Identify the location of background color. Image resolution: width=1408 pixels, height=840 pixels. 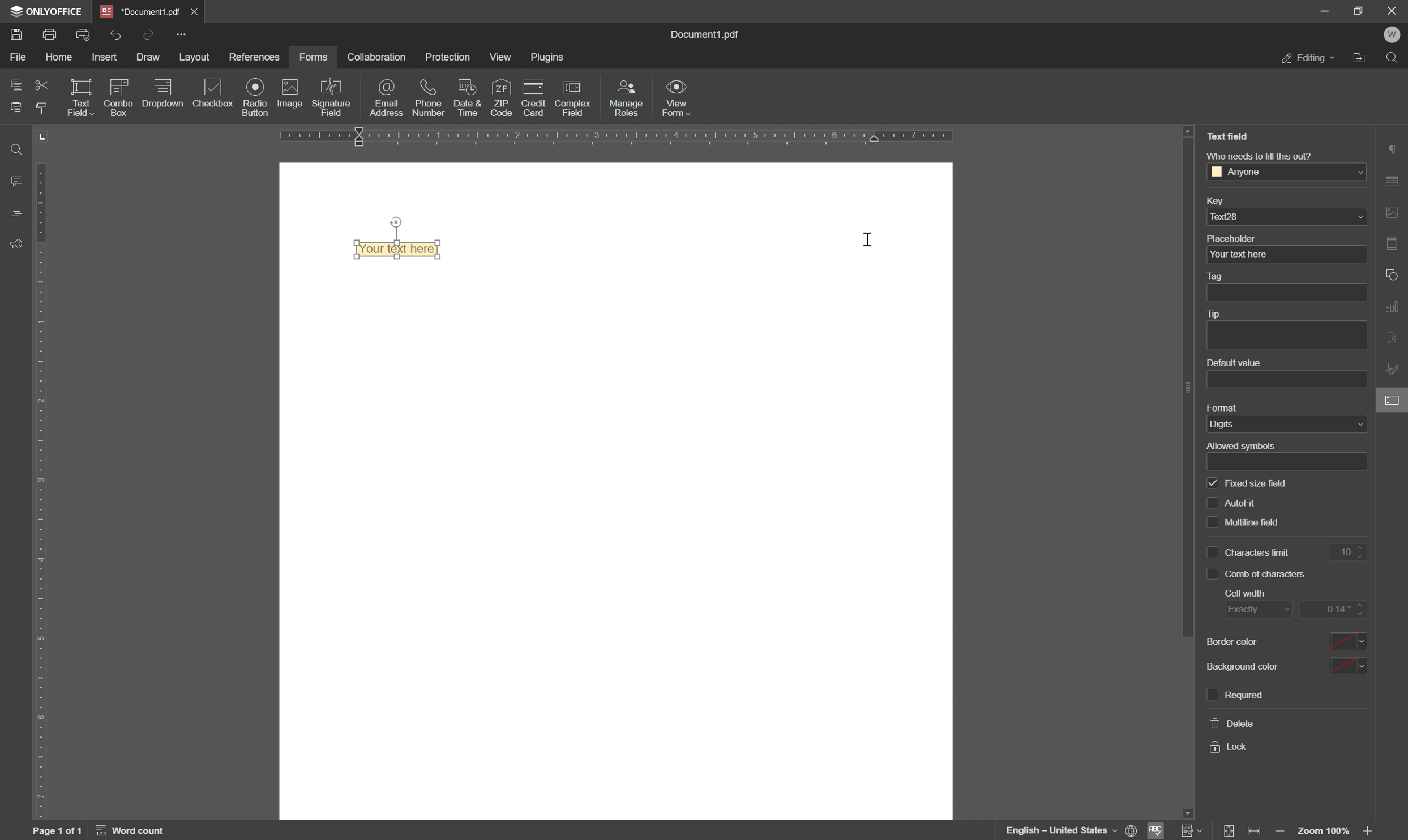
(1240, 666).